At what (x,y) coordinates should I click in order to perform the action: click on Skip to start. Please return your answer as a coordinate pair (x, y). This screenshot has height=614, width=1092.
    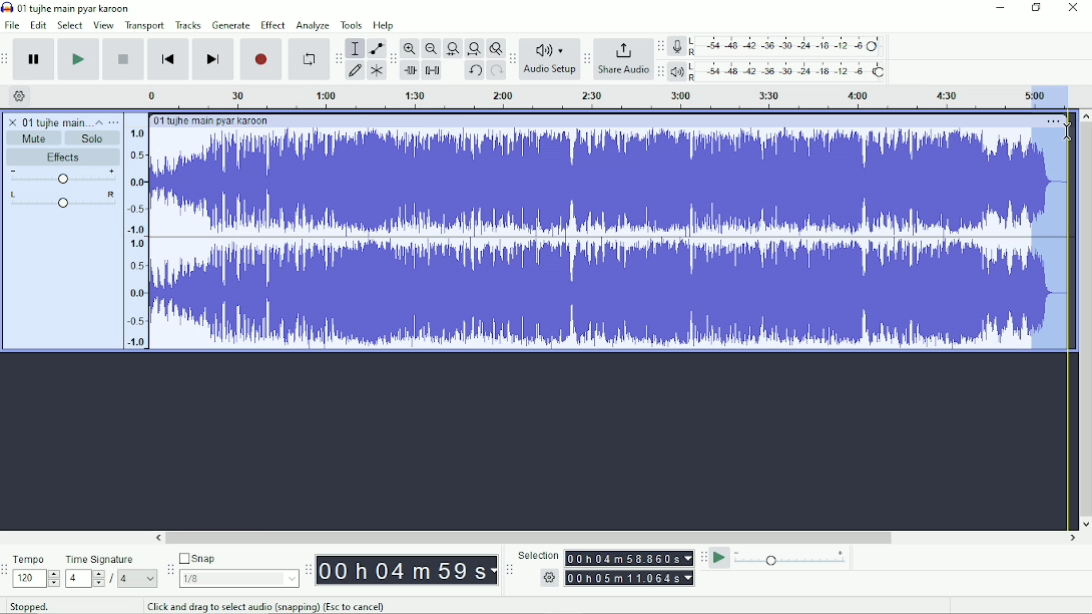
    Looking at the image, I should click on (168, 60).